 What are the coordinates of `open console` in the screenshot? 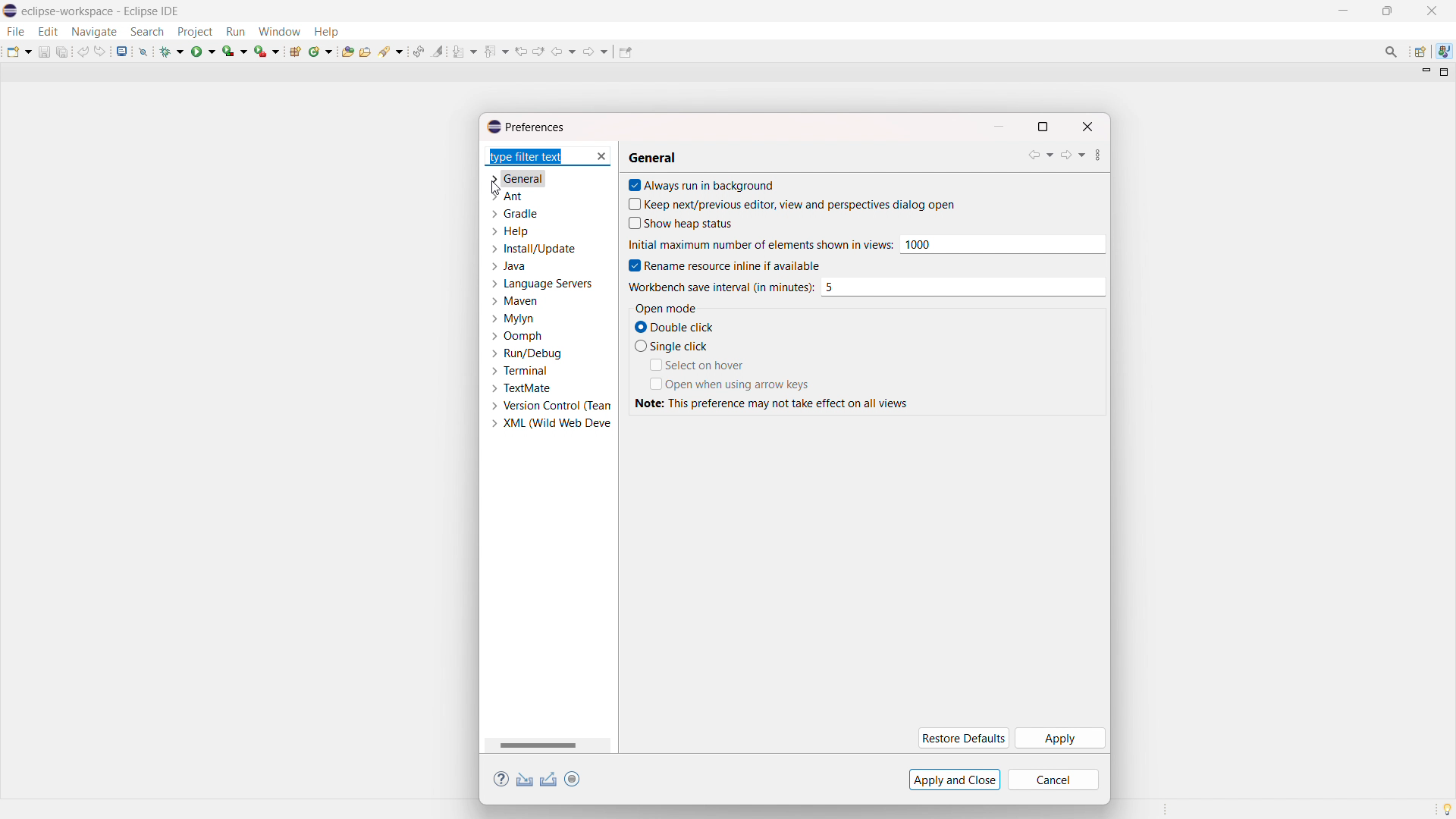 It's located at (121, 52).